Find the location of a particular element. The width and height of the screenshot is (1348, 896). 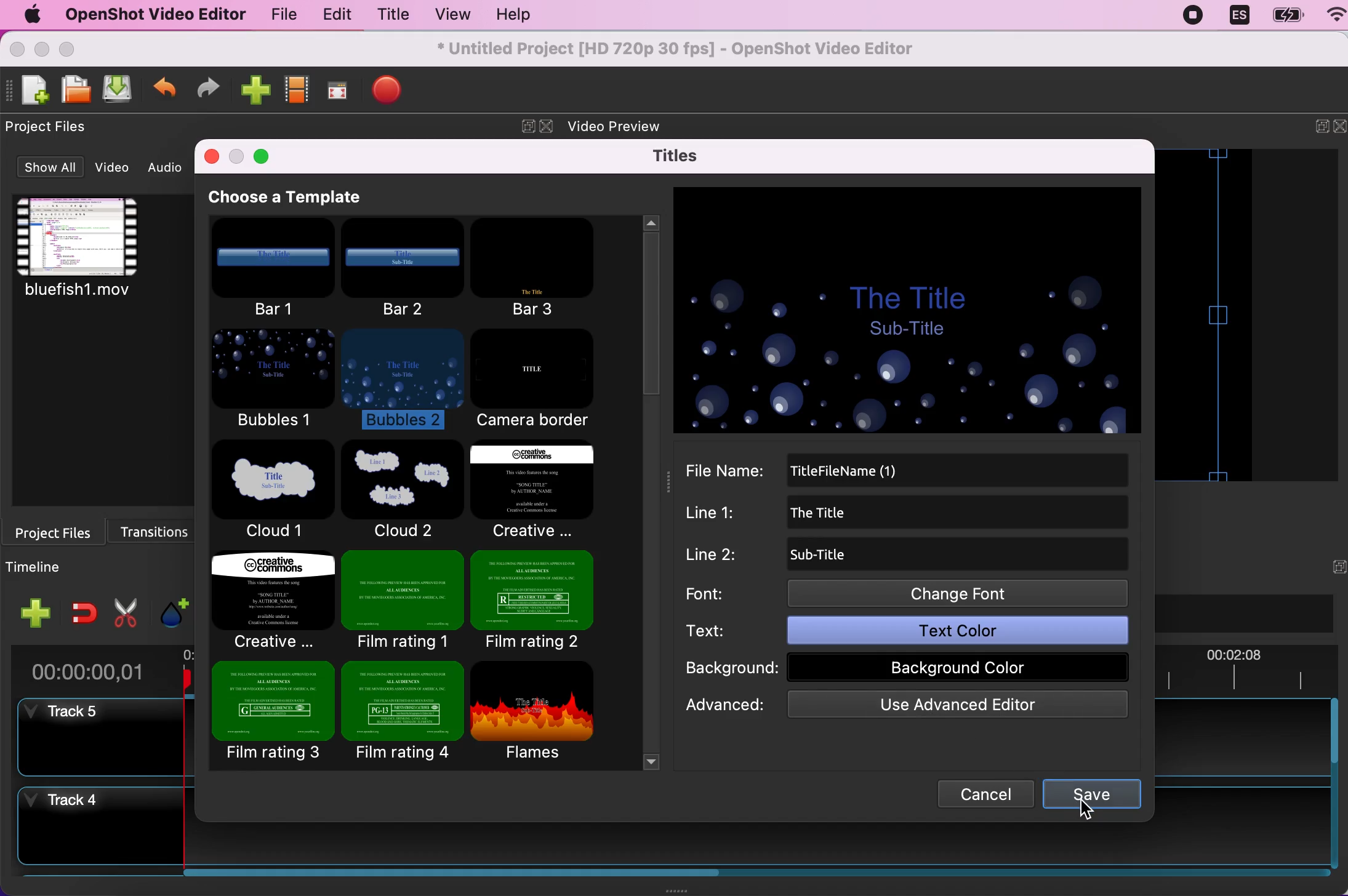

the title sub-title is located at coordinates (907, 313).